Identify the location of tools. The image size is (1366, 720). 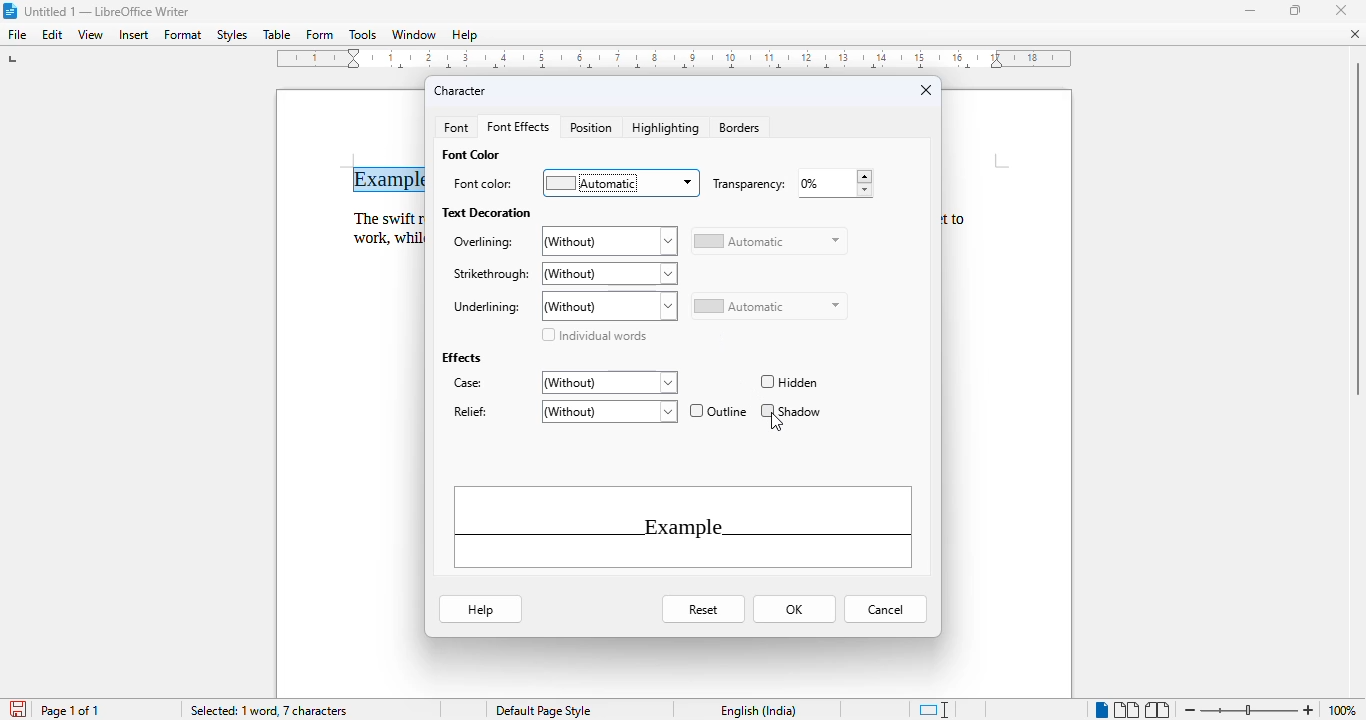
(363, 34).